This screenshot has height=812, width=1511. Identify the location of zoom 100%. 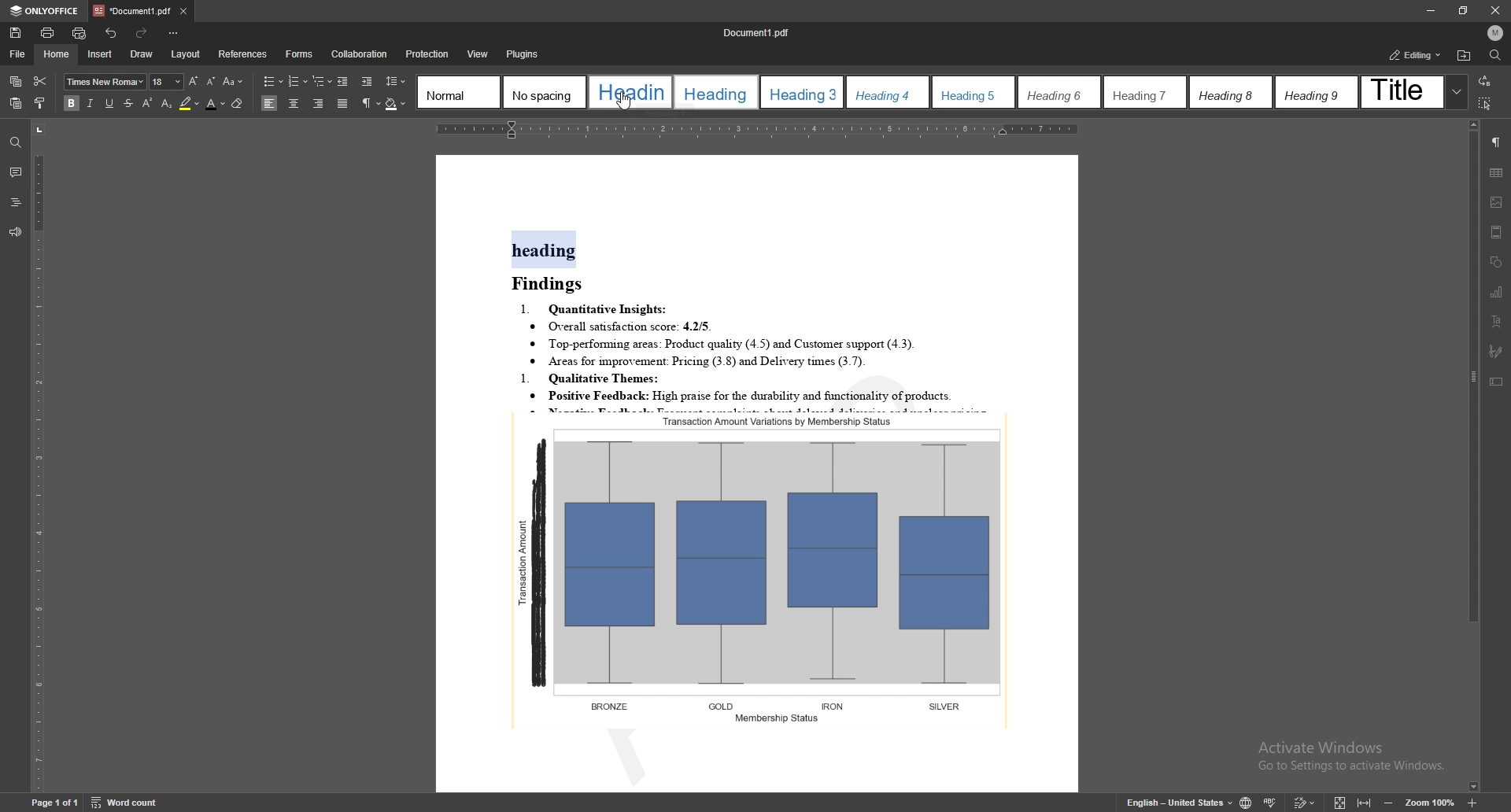
(1432, 804).